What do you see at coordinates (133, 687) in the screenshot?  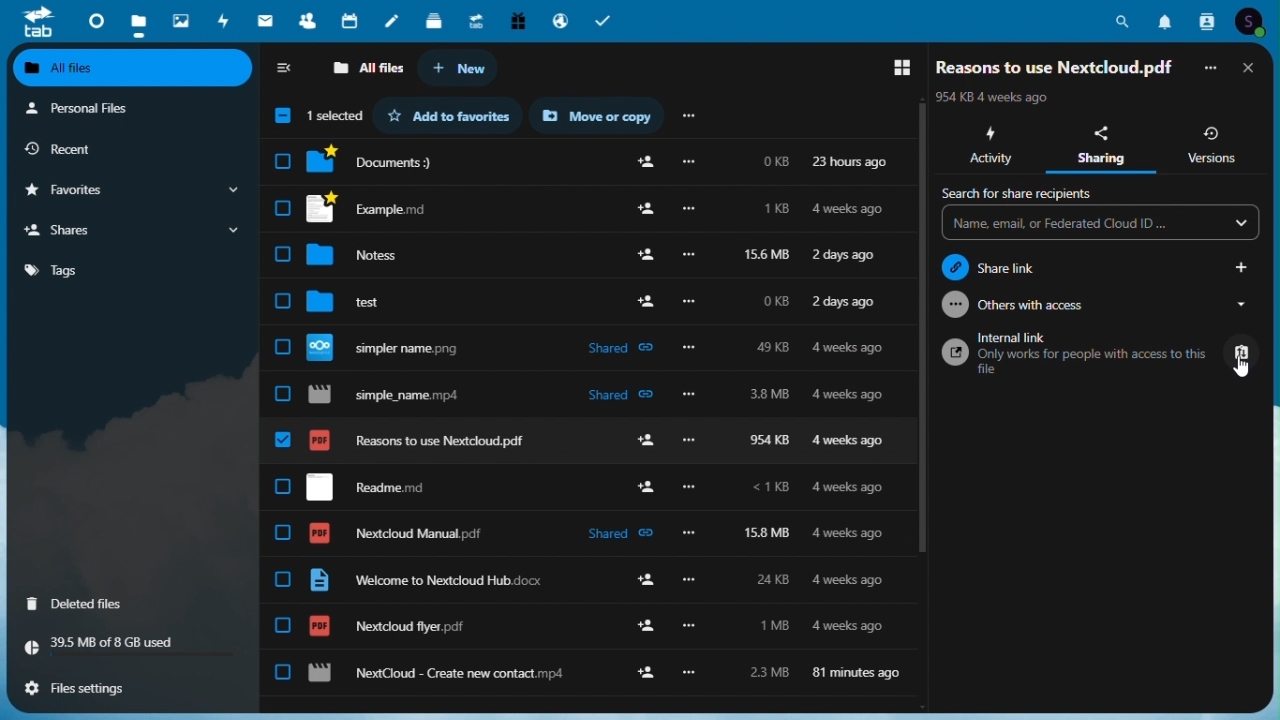 I see `files settings` at bounding box center [133, 687].